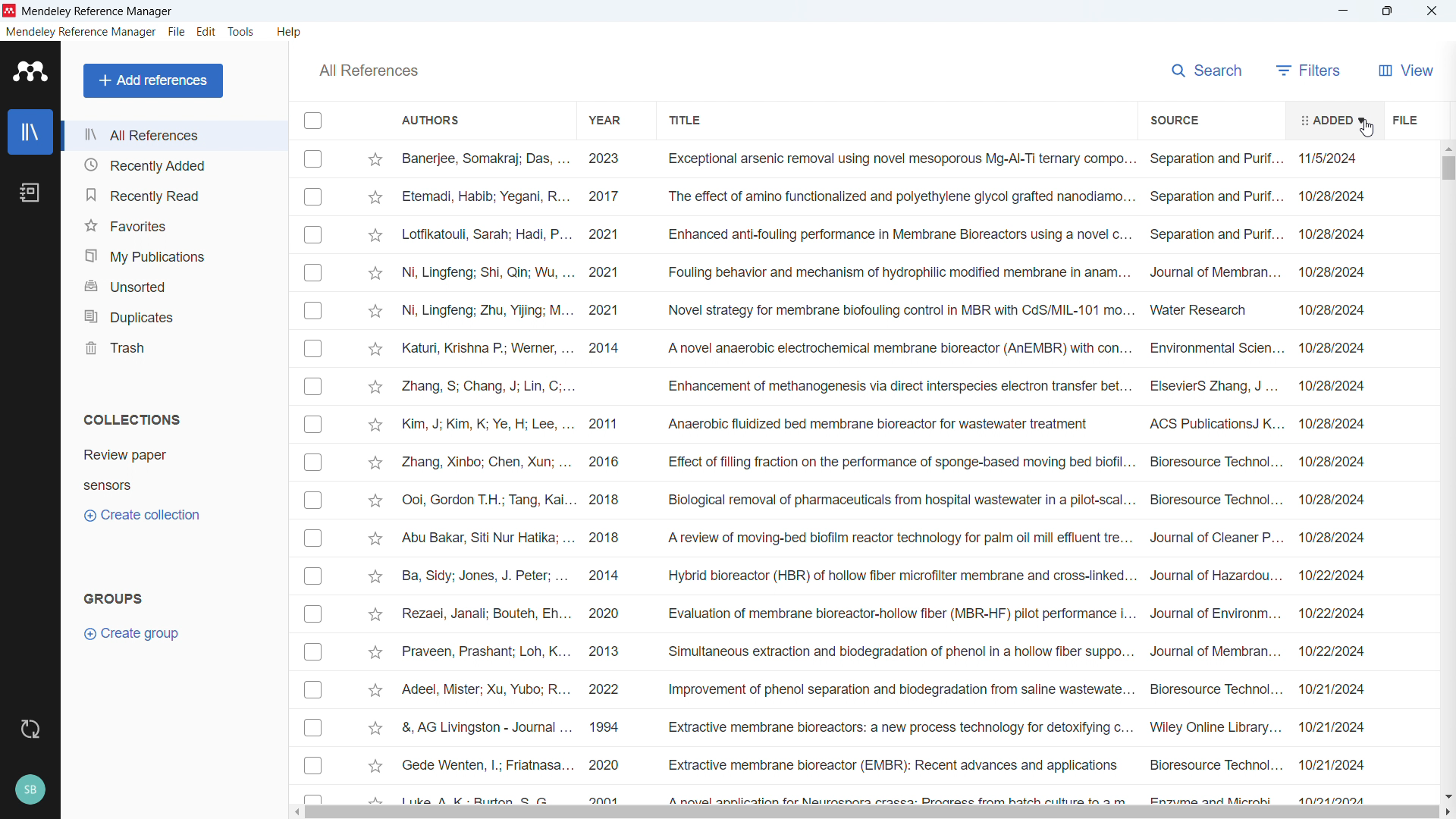 Image resolution: width=1456 pixels, height=819 pixels. I want to click on view , so click(1404, 70).